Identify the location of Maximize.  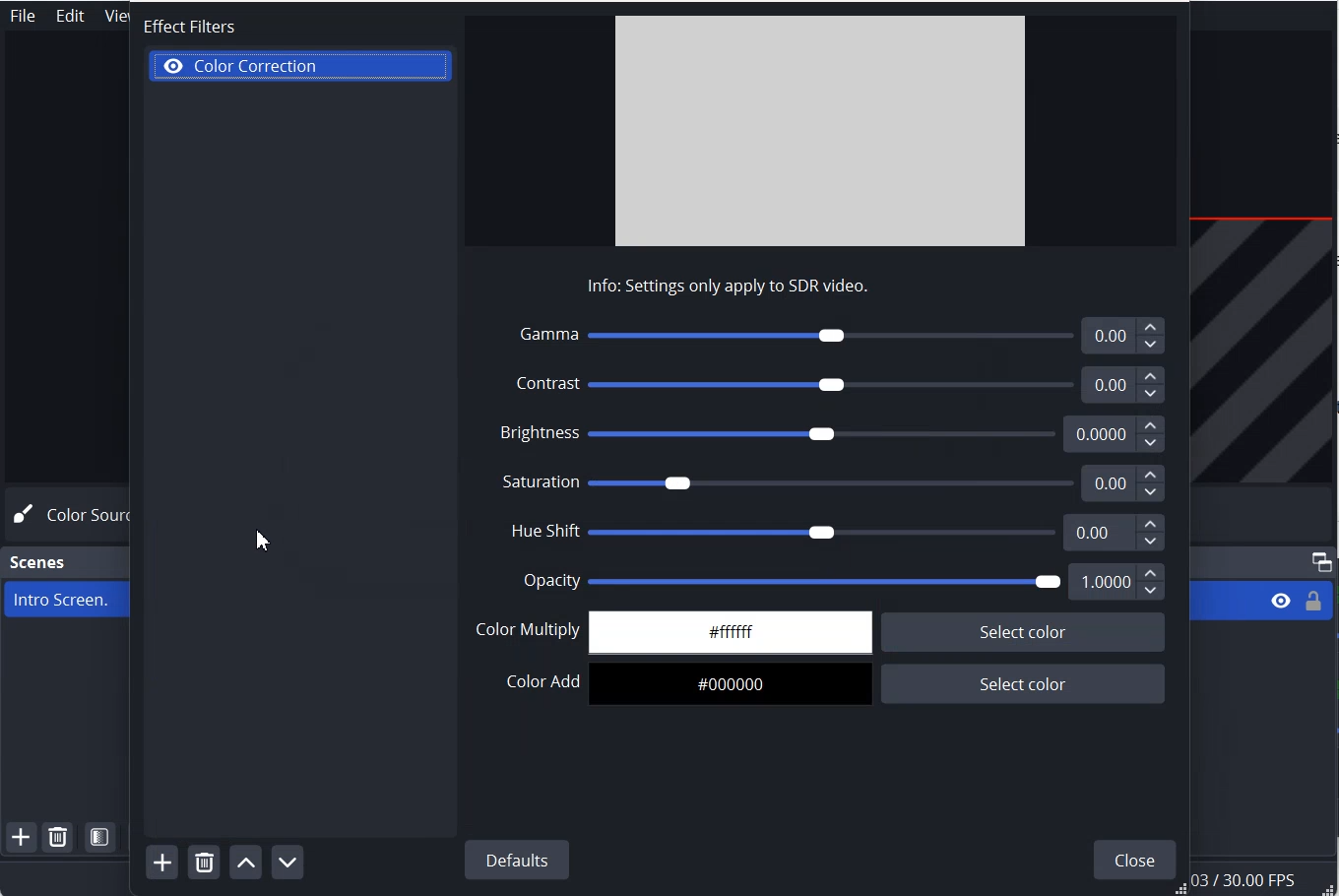
(1321, 561).